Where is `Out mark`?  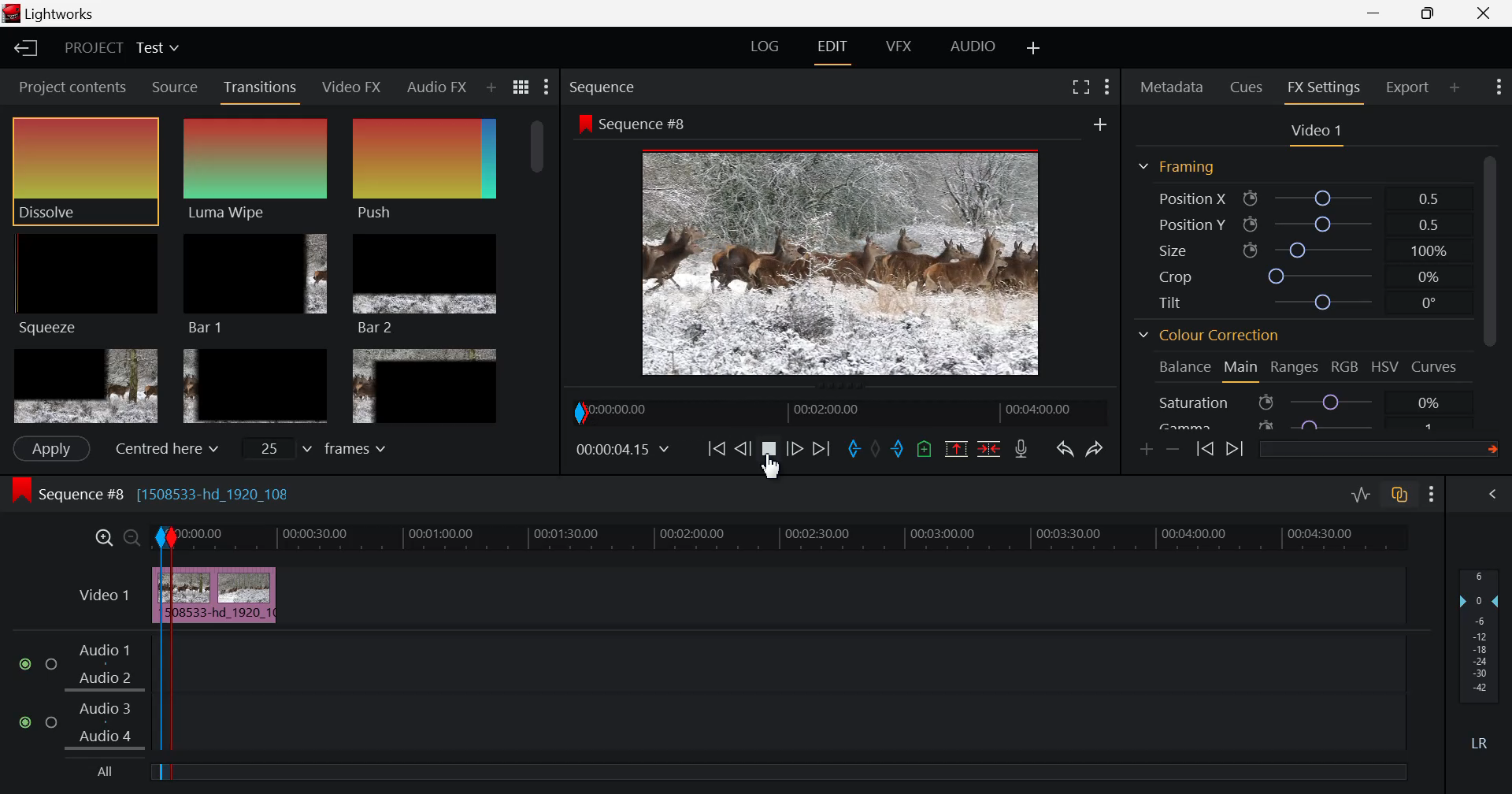 Out mark is located at coordinates (898, 450).